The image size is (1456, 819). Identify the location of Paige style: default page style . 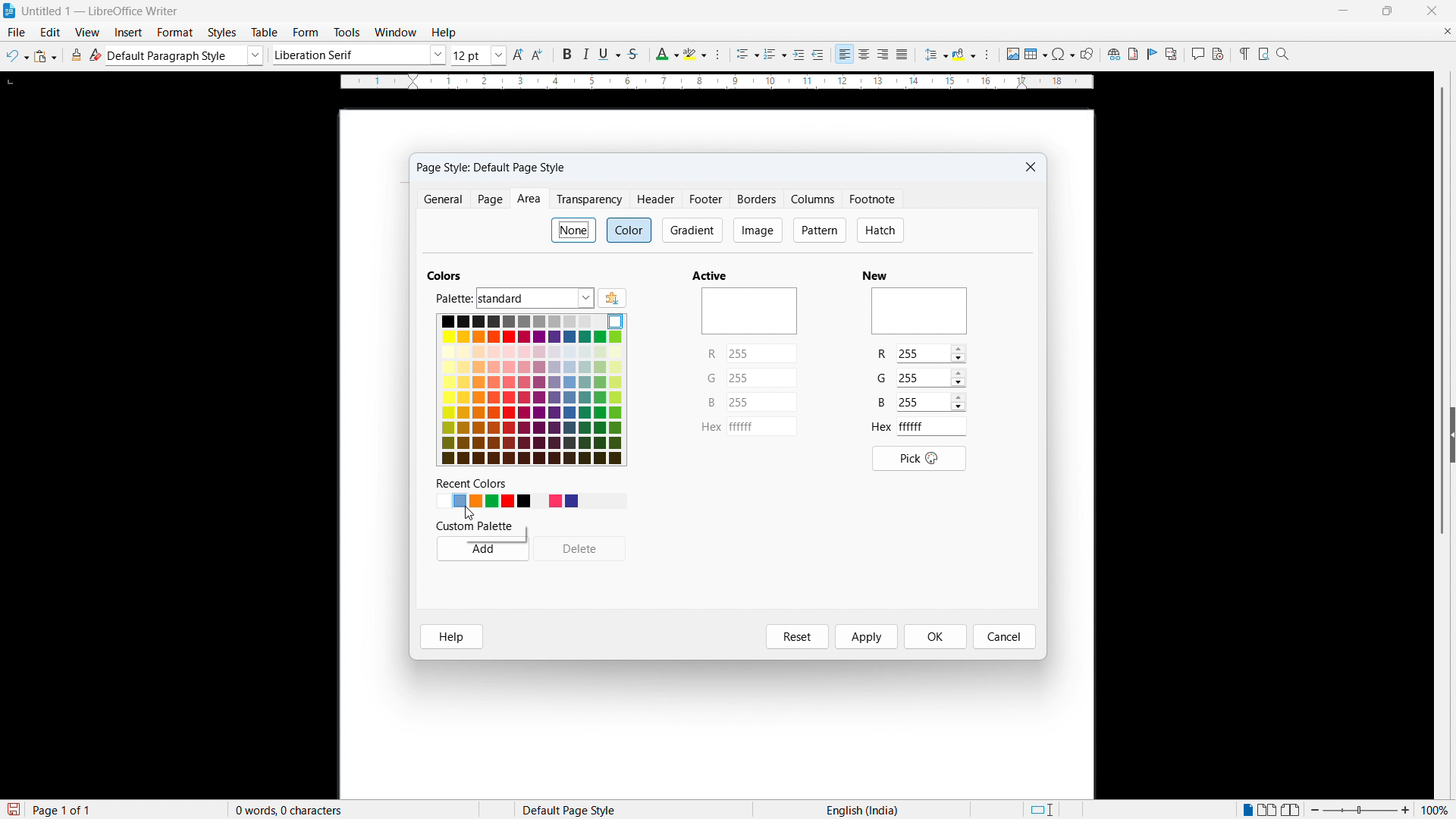
(490, 168).